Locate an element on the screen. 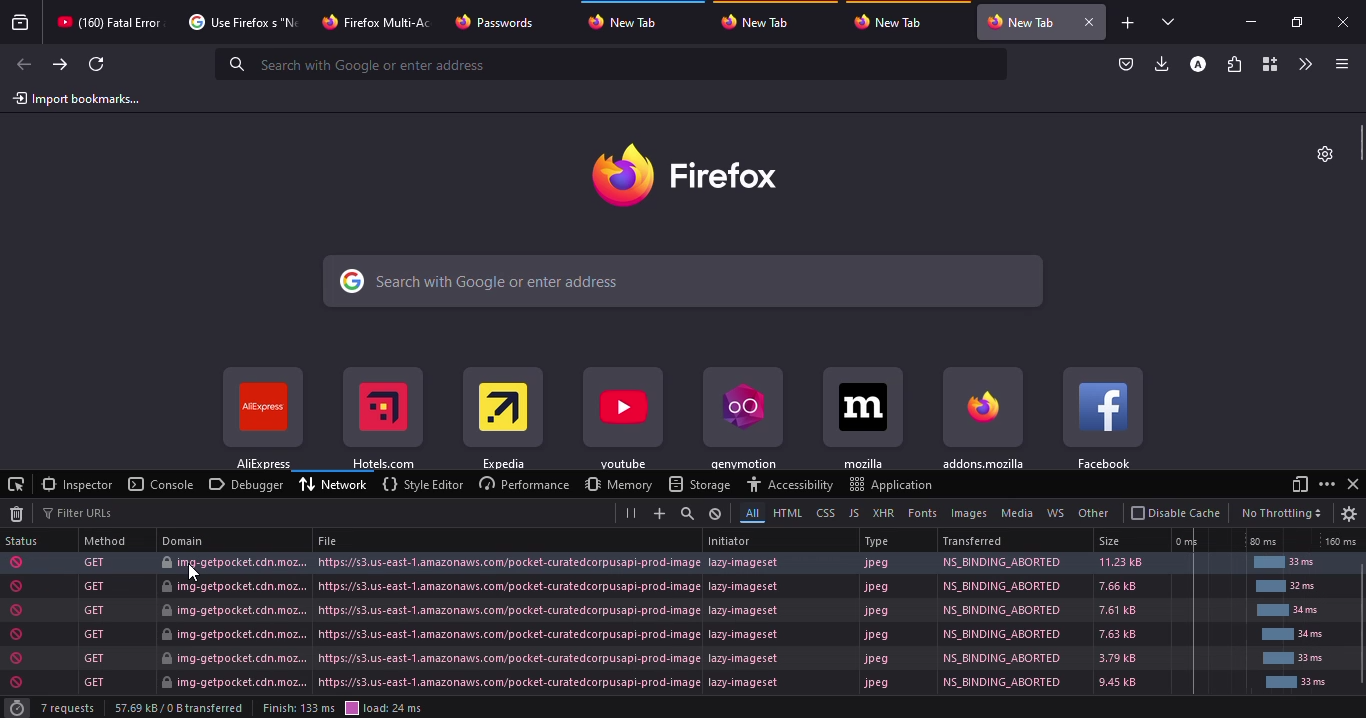 The height and width of the screenshot is (718, 1366). status is located at coordinates (668, 562).